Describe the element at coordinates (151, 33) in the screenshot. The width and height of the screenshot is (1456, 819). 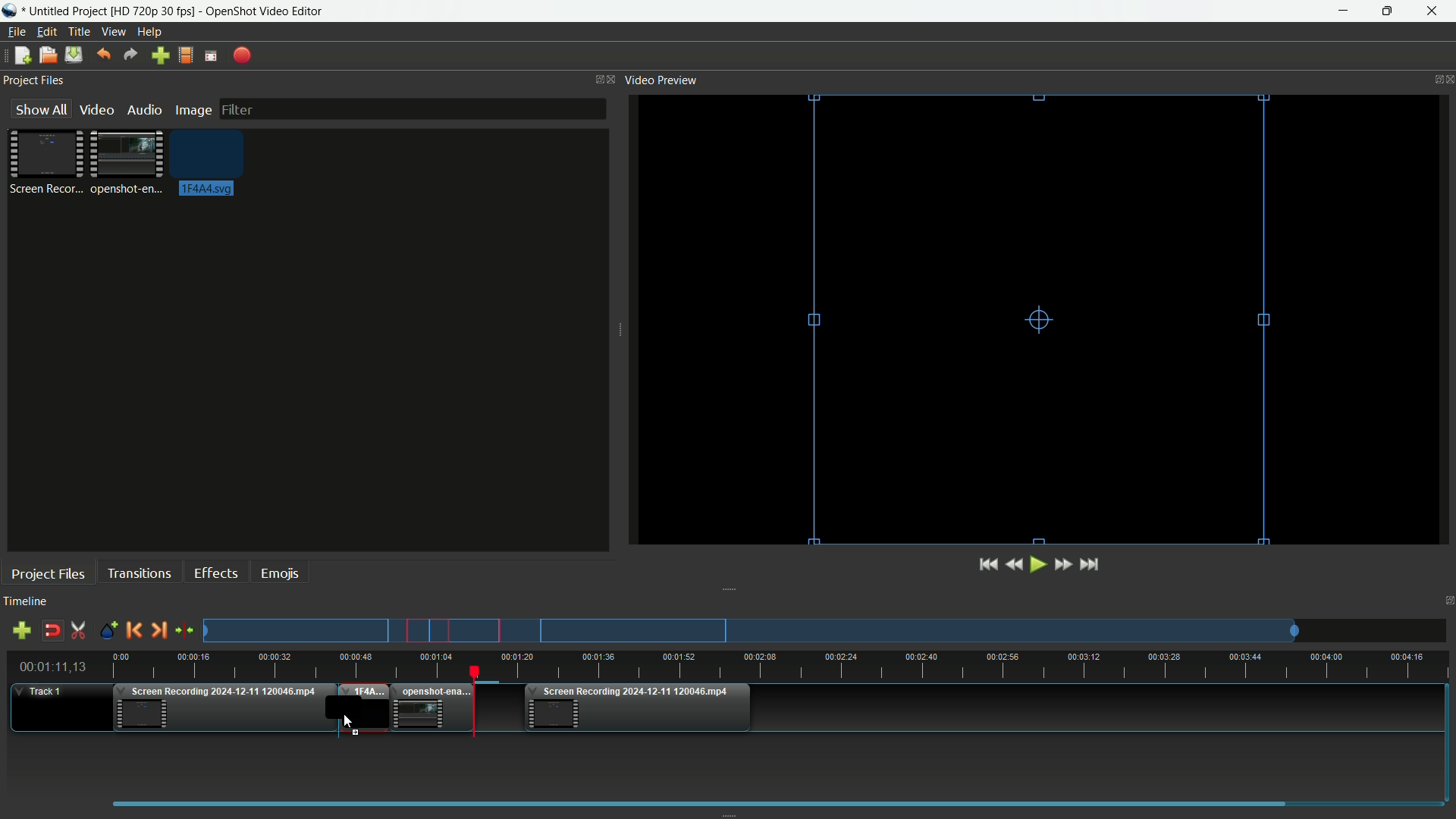
I see `help menu` at that location.